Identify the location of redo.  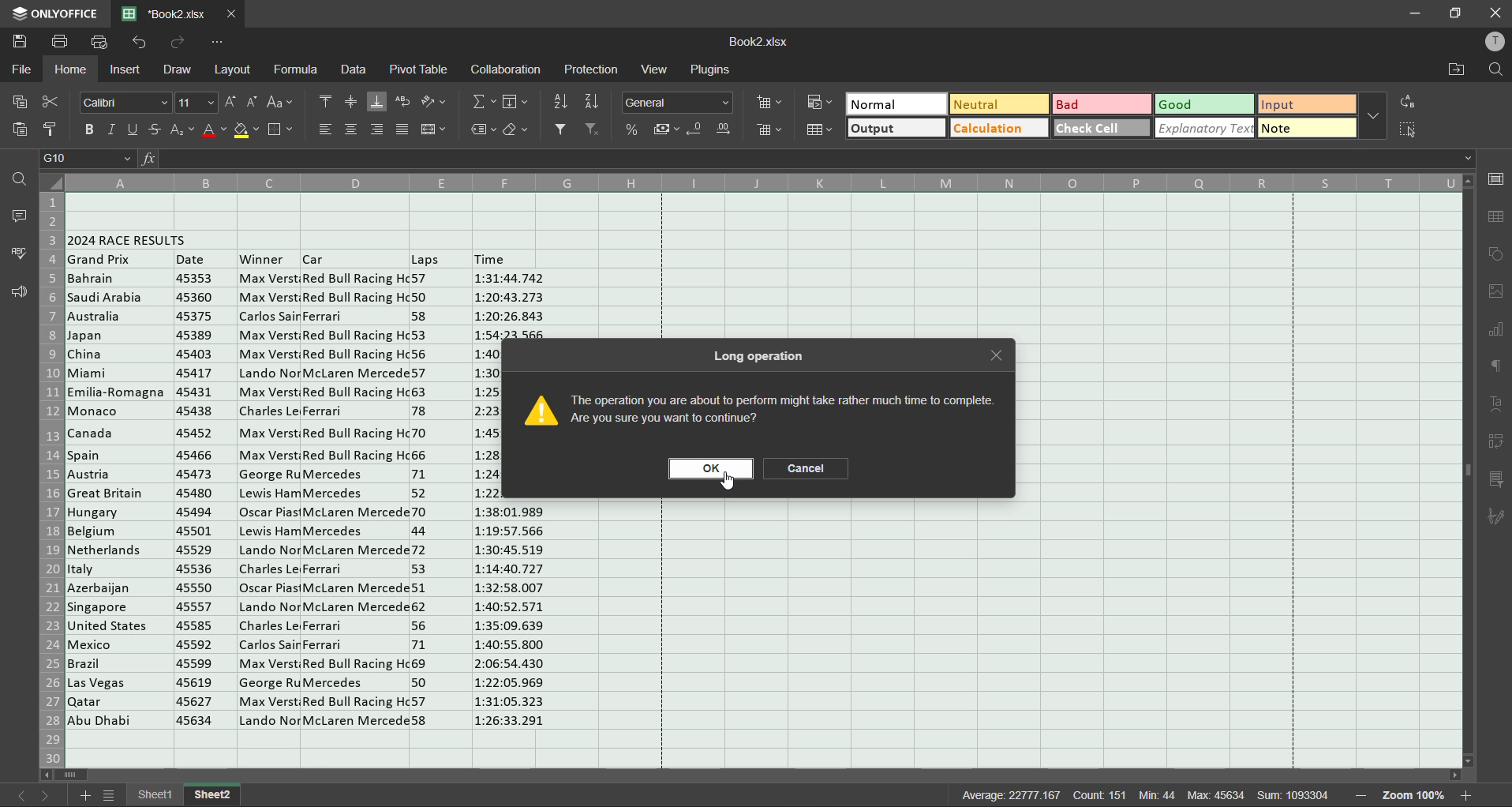
(174, 43).